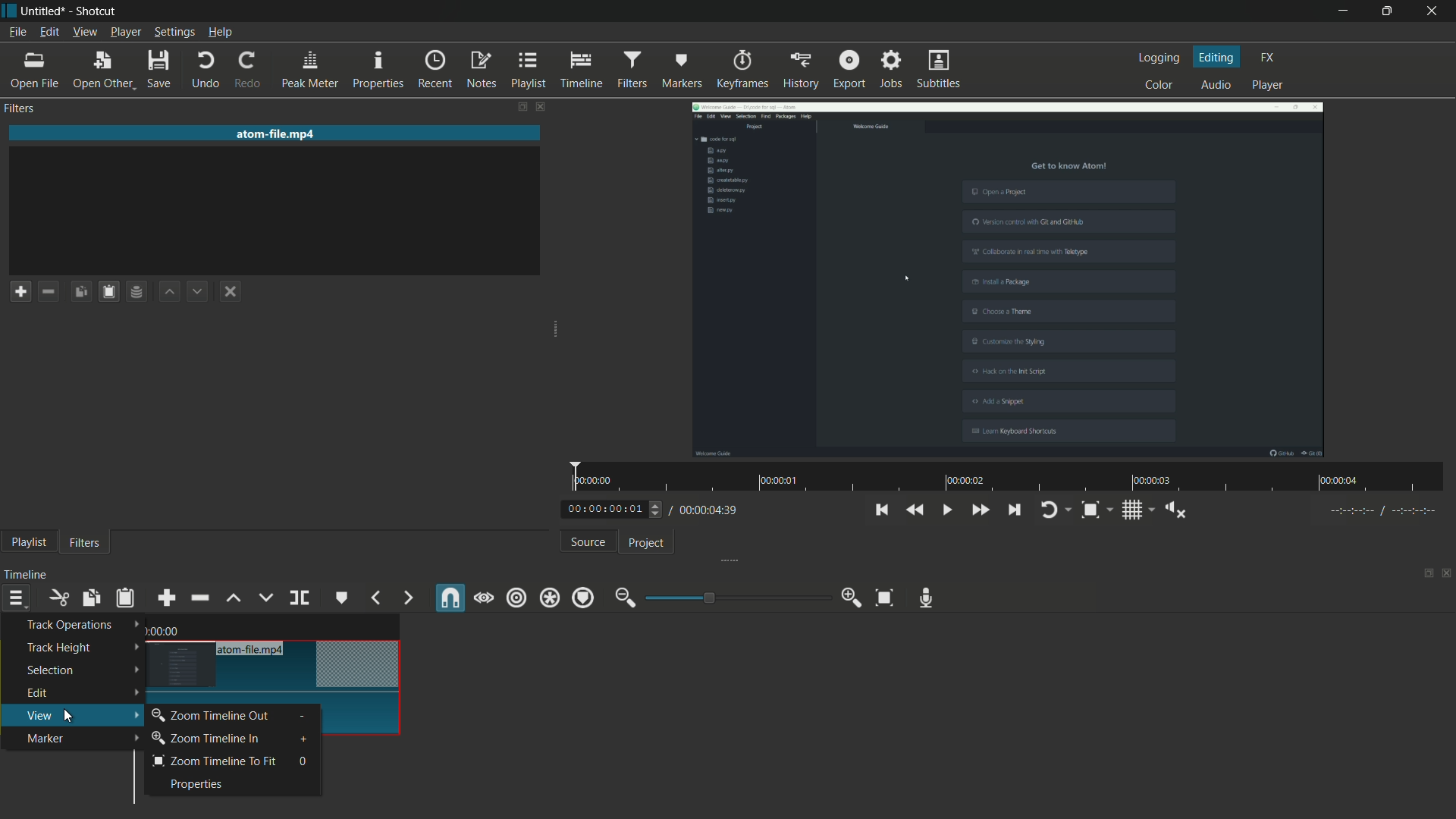 This screenshot has width=1456, height=819. What do you see at coordinates (1216, 57) in the screenshot?
I see `editing` at bounding box center [1216, 57].